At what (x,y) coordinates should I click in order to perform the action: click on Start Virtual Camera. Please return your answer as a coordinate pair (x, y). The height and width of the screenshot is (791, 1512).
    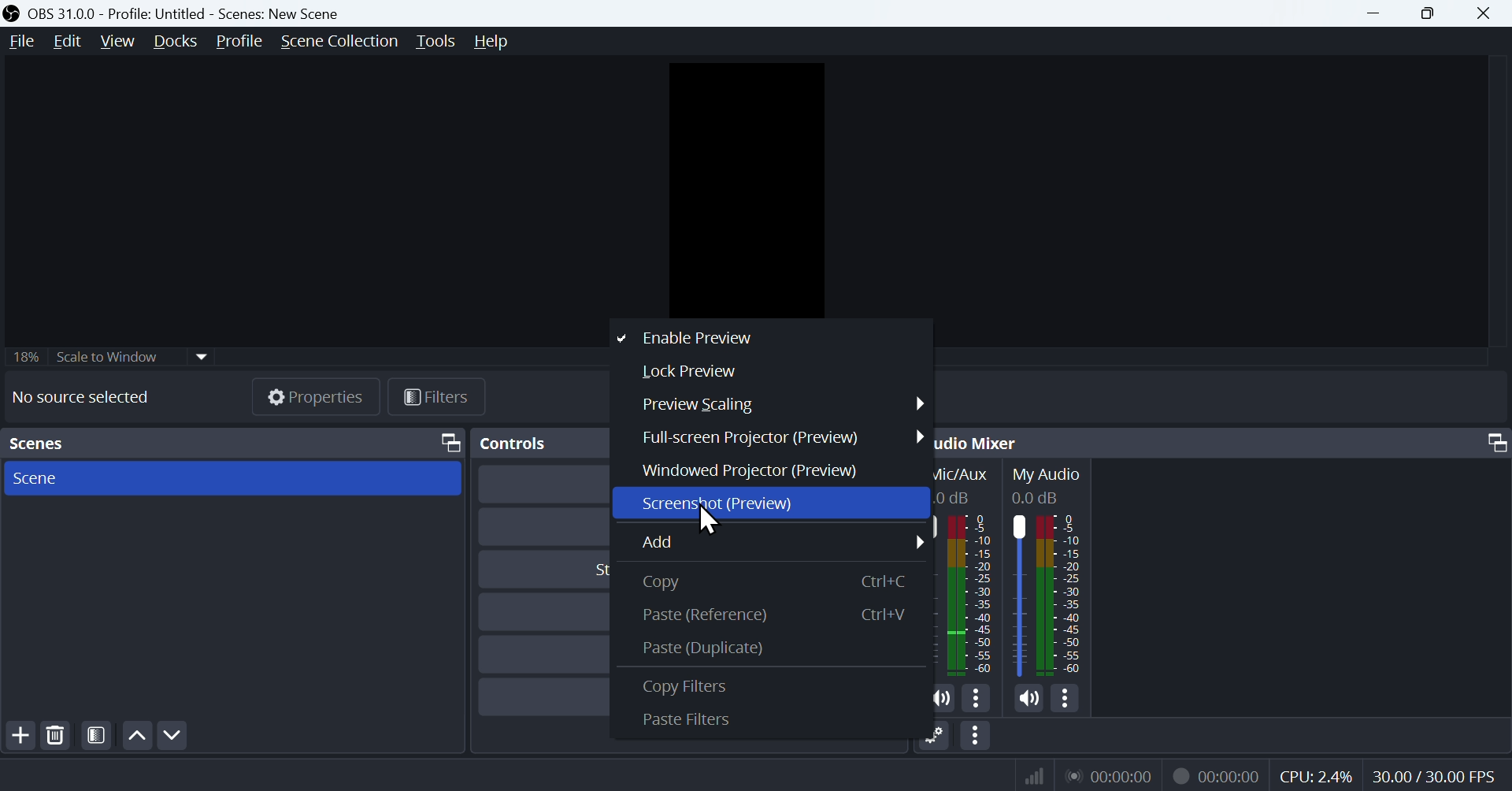
    Looking at the image, I should click on (597, 568).